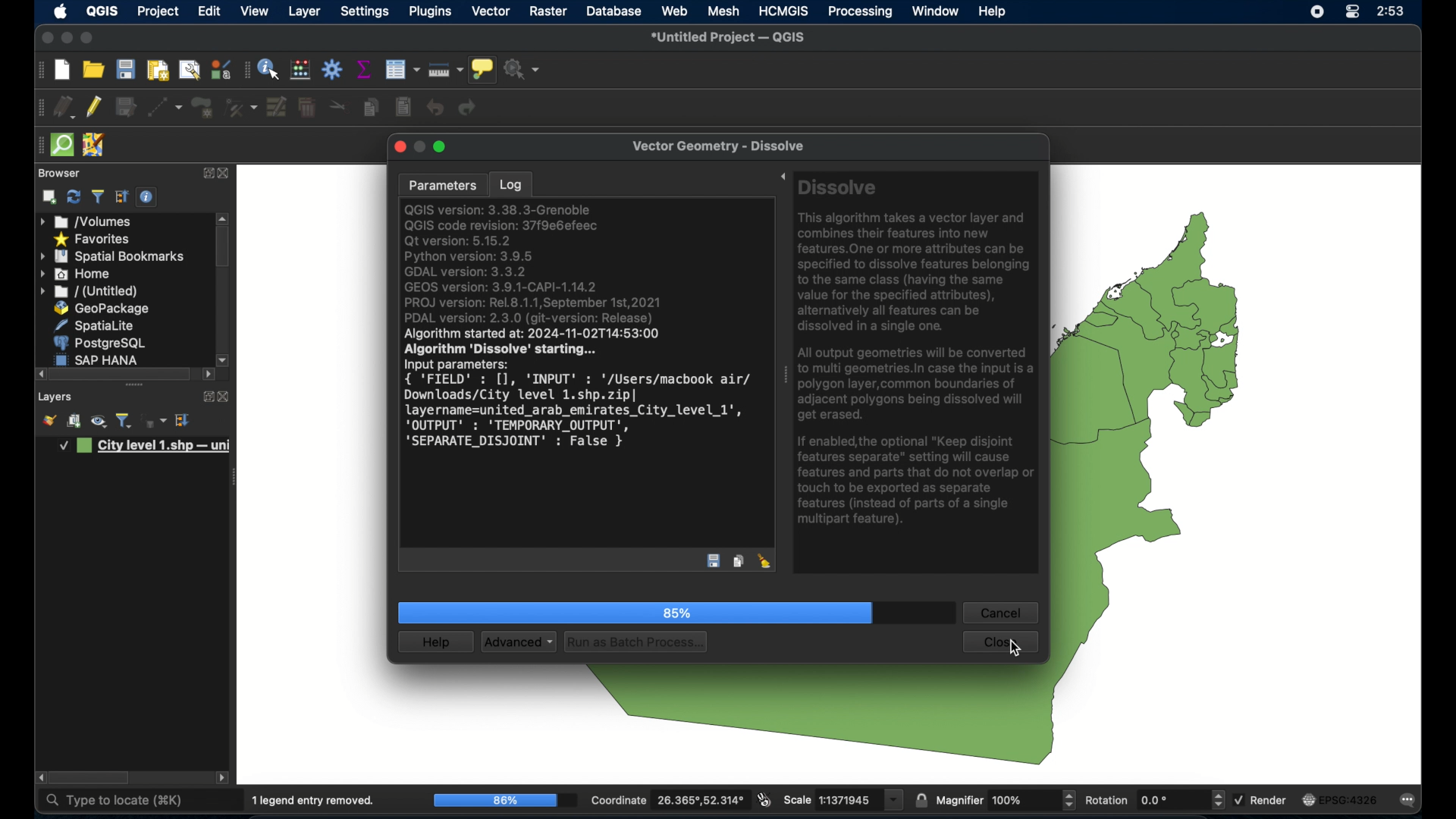 Image resolution: width=1456 pixels, height=819 pixels. Describe the element at coordinates (919, 356) in the screenshot. I see `dissolve tool info` at that location.